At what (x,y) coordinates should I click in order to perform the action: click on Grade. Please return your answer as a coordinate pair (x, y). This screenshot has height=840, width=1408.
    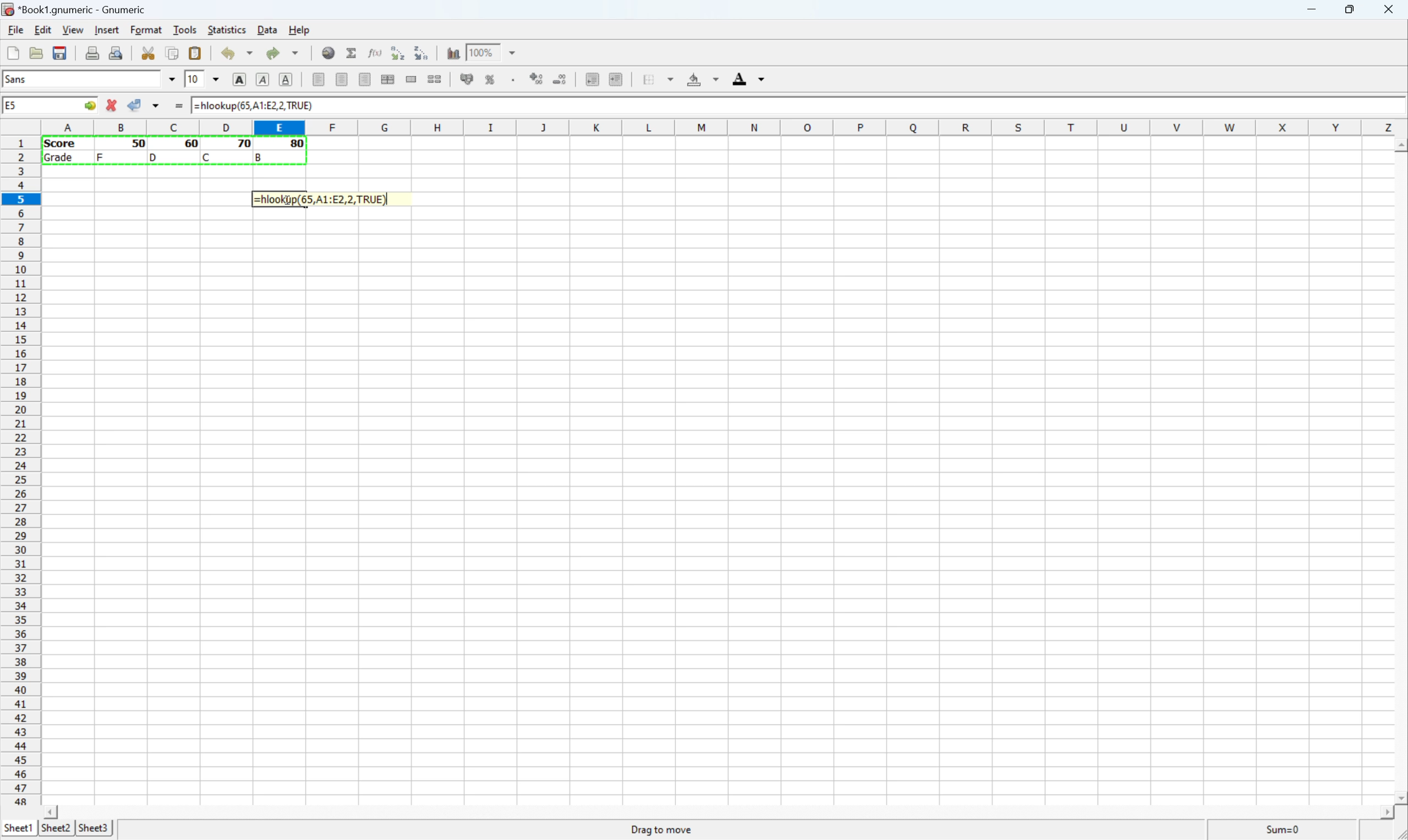
    Looking at the image, I should click on (62, 159).